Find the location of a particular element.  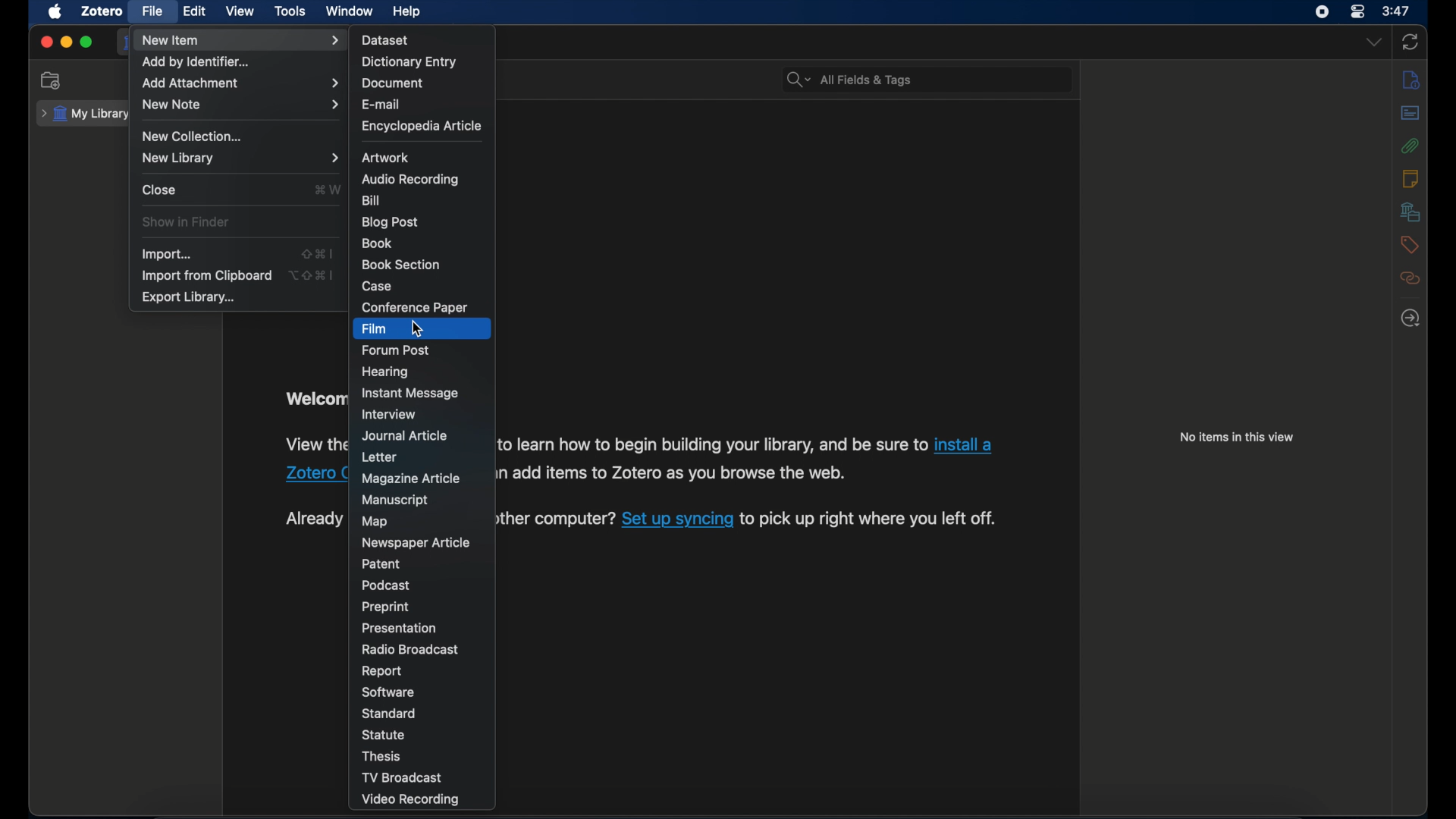

bill is located at coordinates (370, 201).